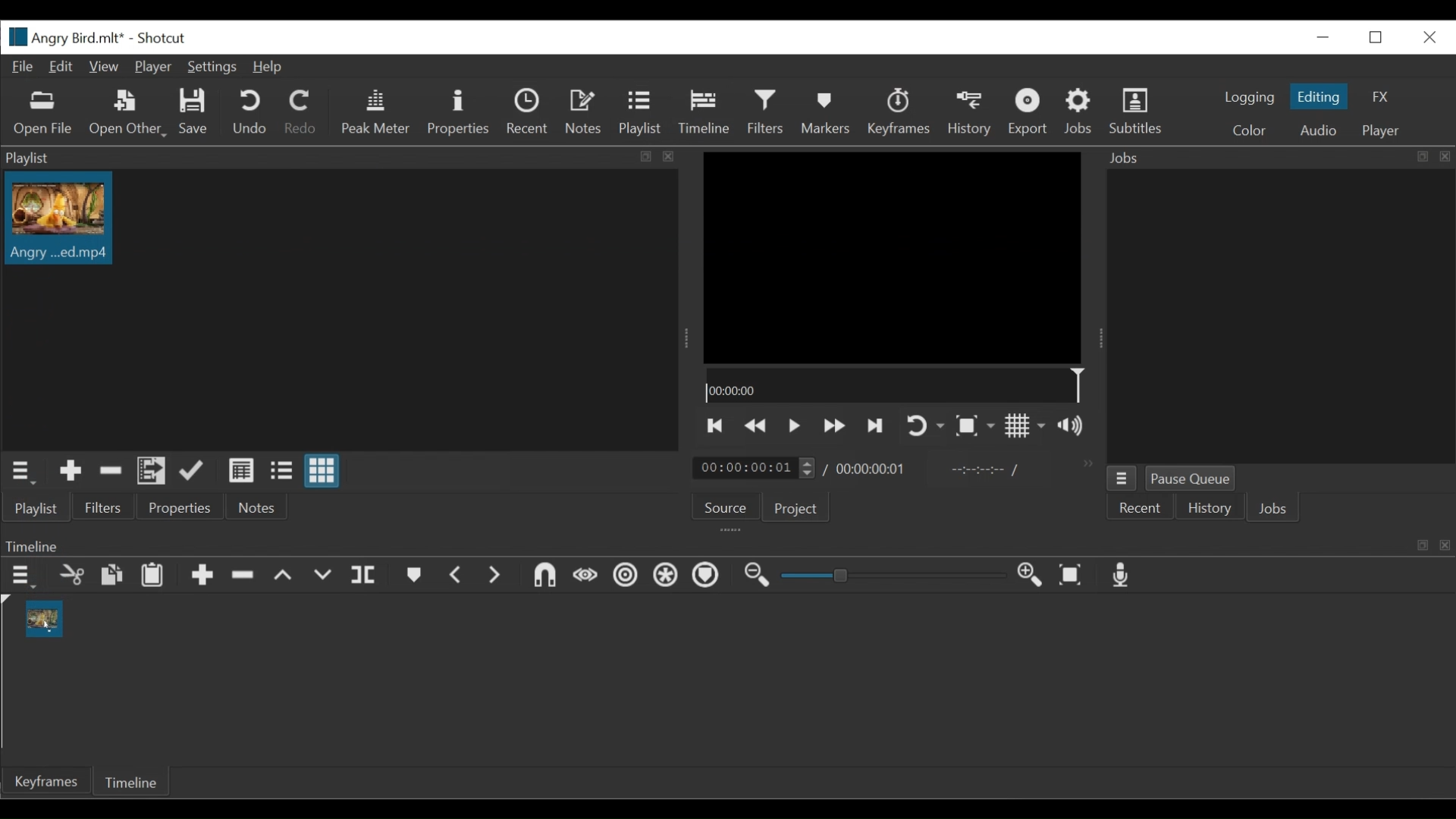 The image size is (1456, 819). I want to click on minimize, so click(1323, 37).